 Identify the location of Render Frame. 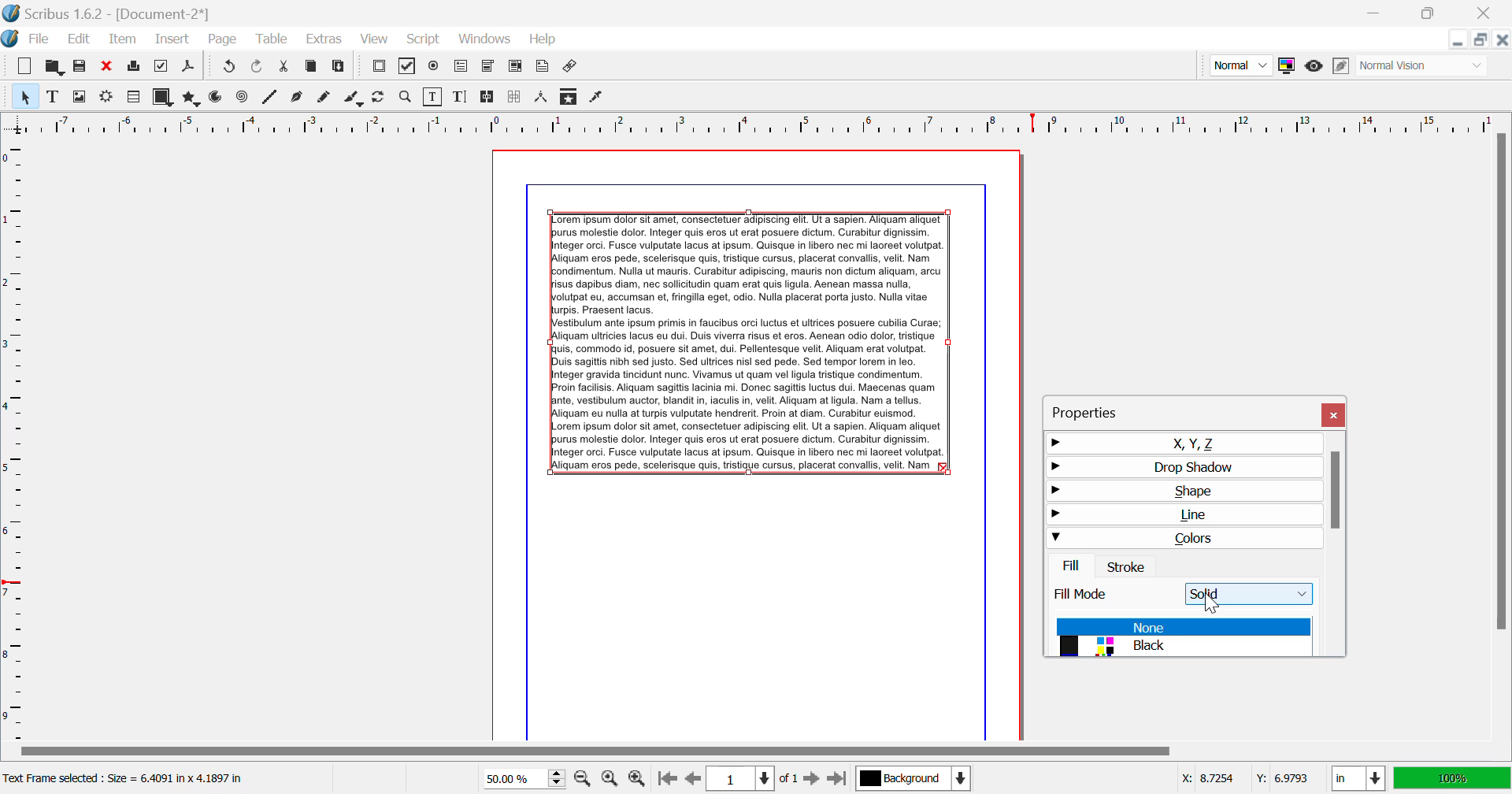
(132, 98).